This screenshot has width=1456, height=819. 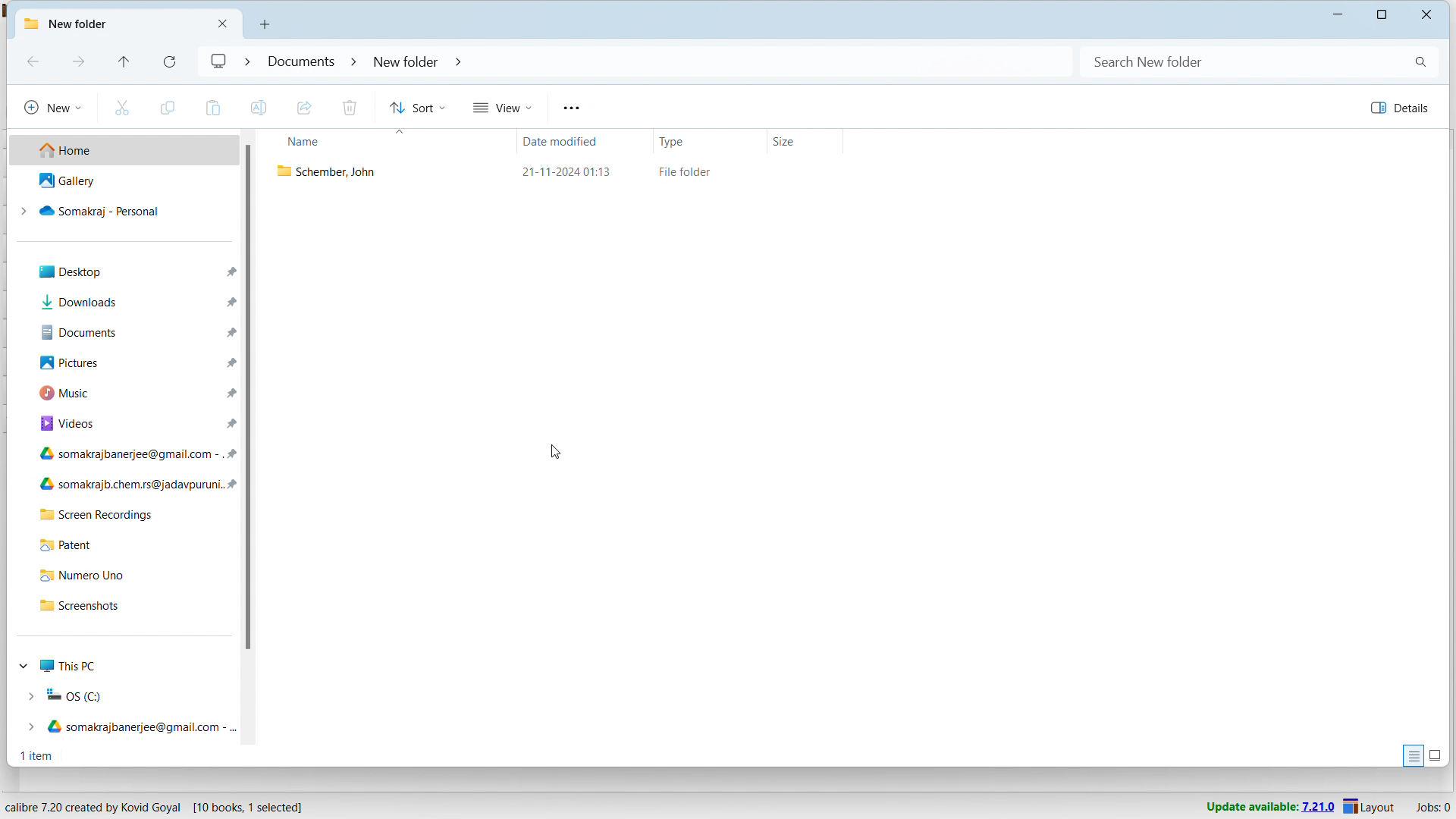 What do you see at coordinates (570, 142) in the screenshot?
I see `sort by date modified` at bounding box center [570, 142].